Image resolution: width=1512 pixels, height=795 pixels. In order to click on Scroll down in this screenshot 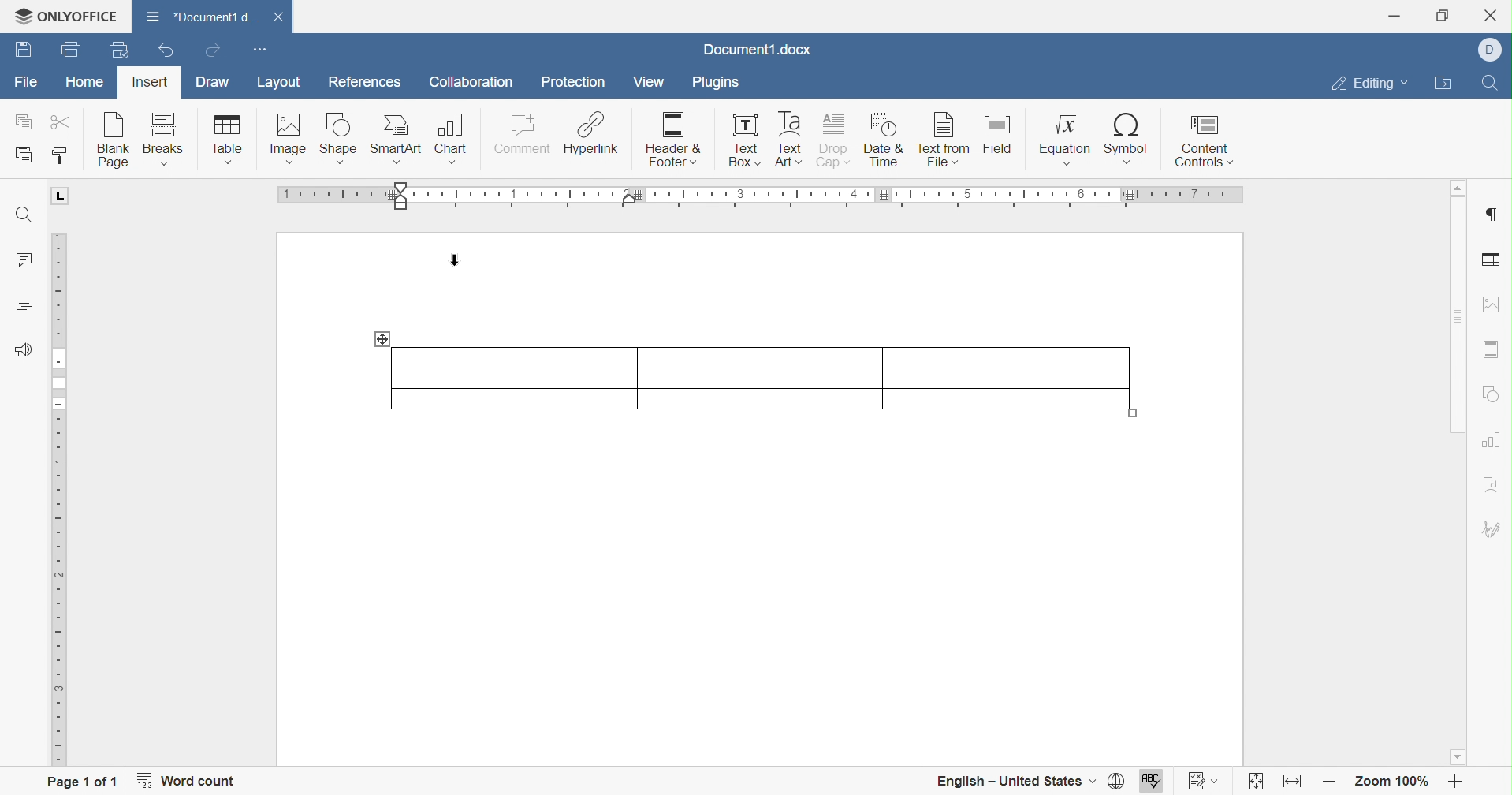, I will do `click(1458, 758)`.